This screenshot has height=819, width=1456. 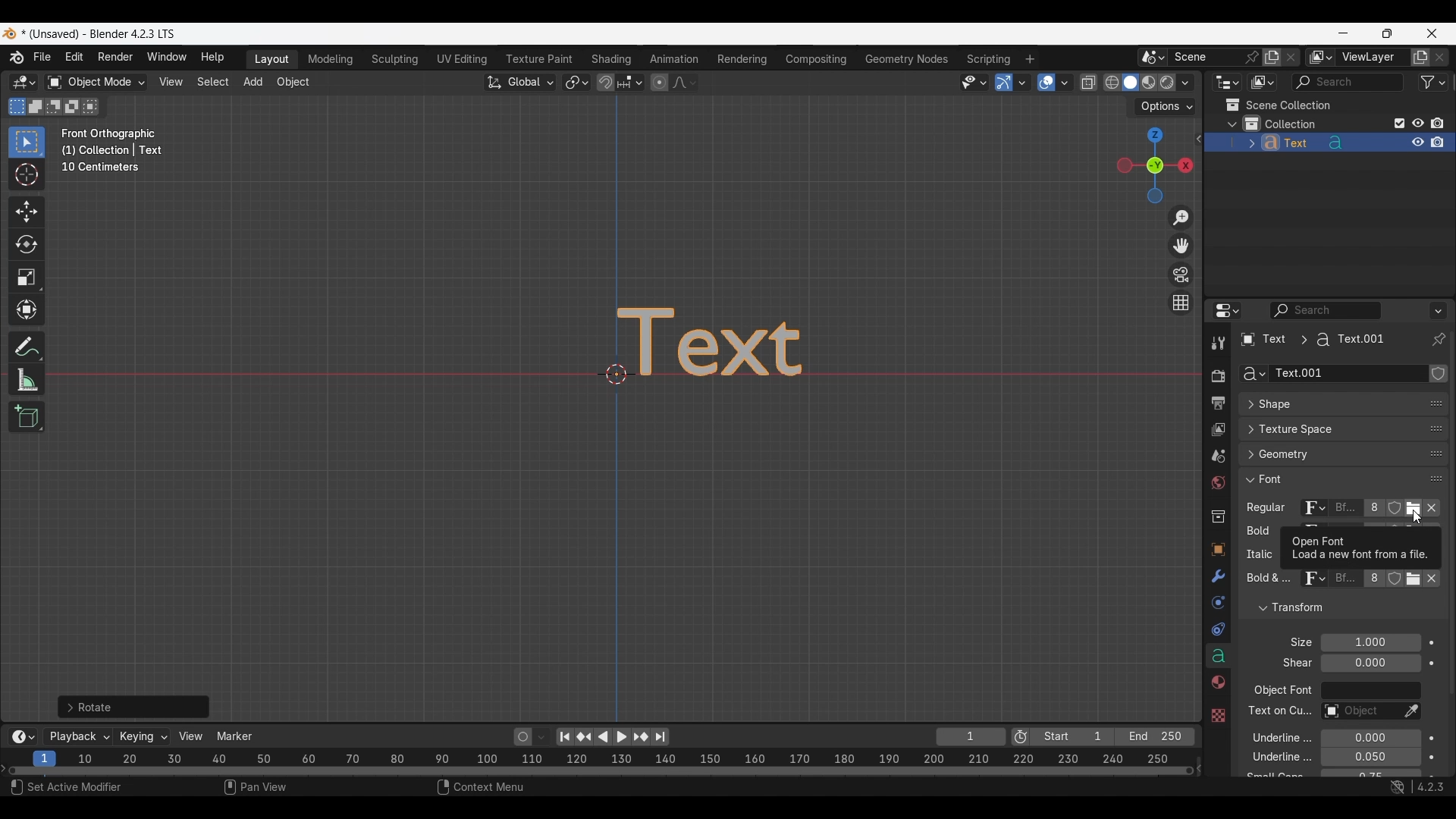 What do you see at coordinates (1437, 427) in the screenshot?
I see `change position` at bounding box center [1437, 427].